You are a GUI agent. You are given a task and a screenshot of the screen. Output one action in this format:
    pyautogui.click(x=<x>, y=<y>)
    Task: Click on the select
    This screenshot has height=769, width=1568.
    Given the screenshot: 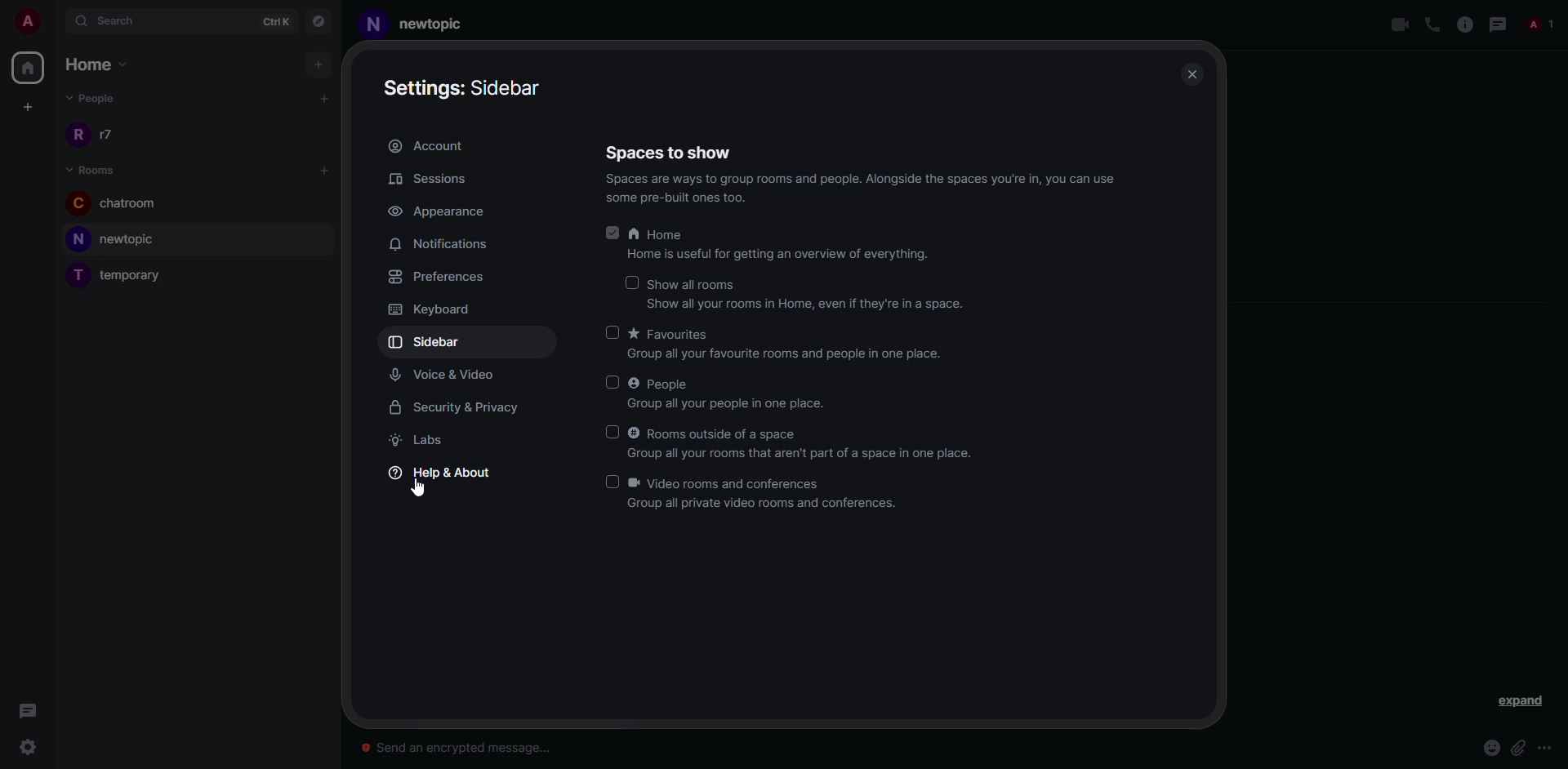 What is the action you would take?
    pyautogui.click(x=610, y=330)
    